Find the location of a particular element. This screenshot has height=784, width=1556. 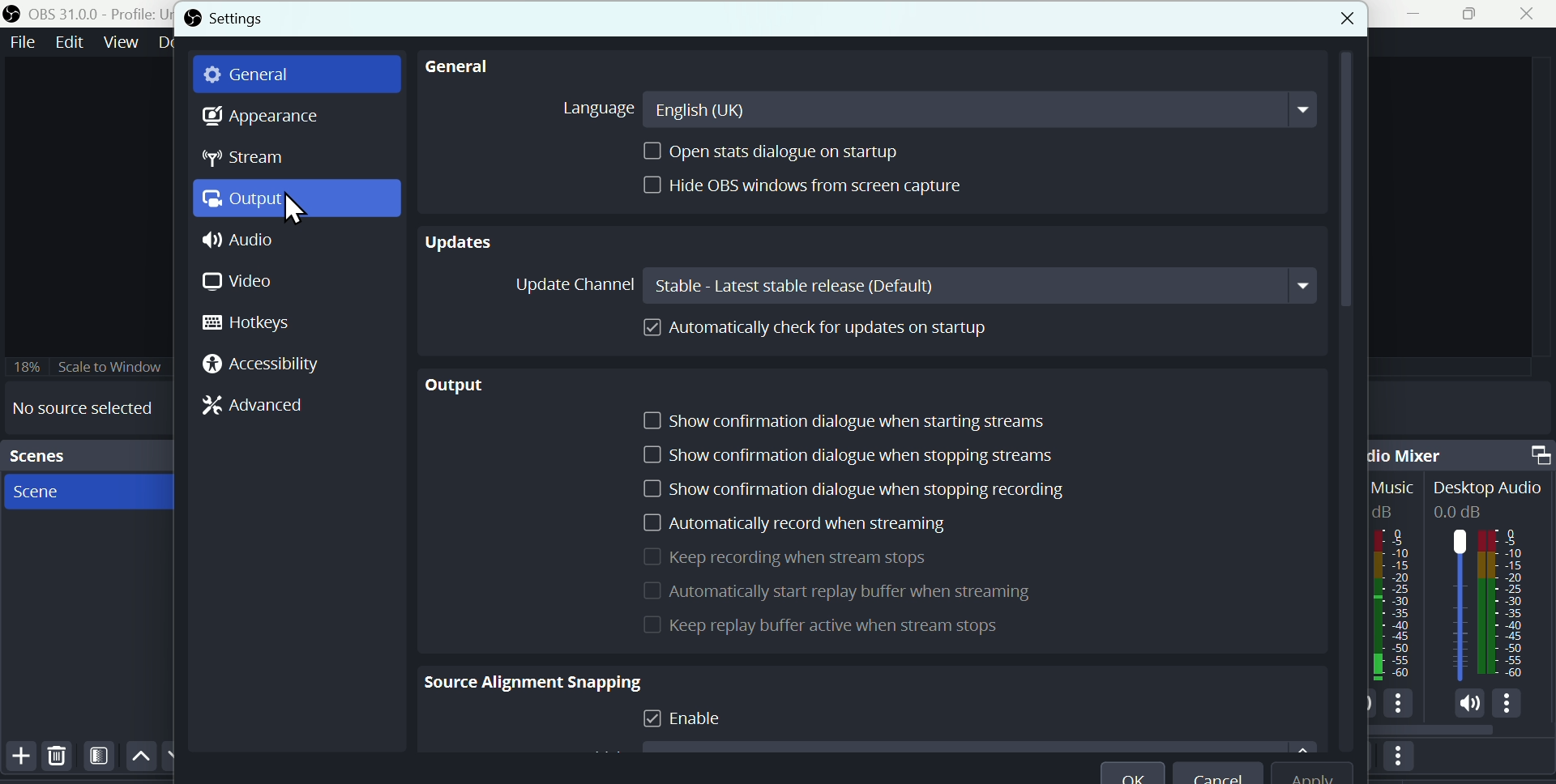

Show confirmation dialogue when starting screen is located at coordinates (841, 422).